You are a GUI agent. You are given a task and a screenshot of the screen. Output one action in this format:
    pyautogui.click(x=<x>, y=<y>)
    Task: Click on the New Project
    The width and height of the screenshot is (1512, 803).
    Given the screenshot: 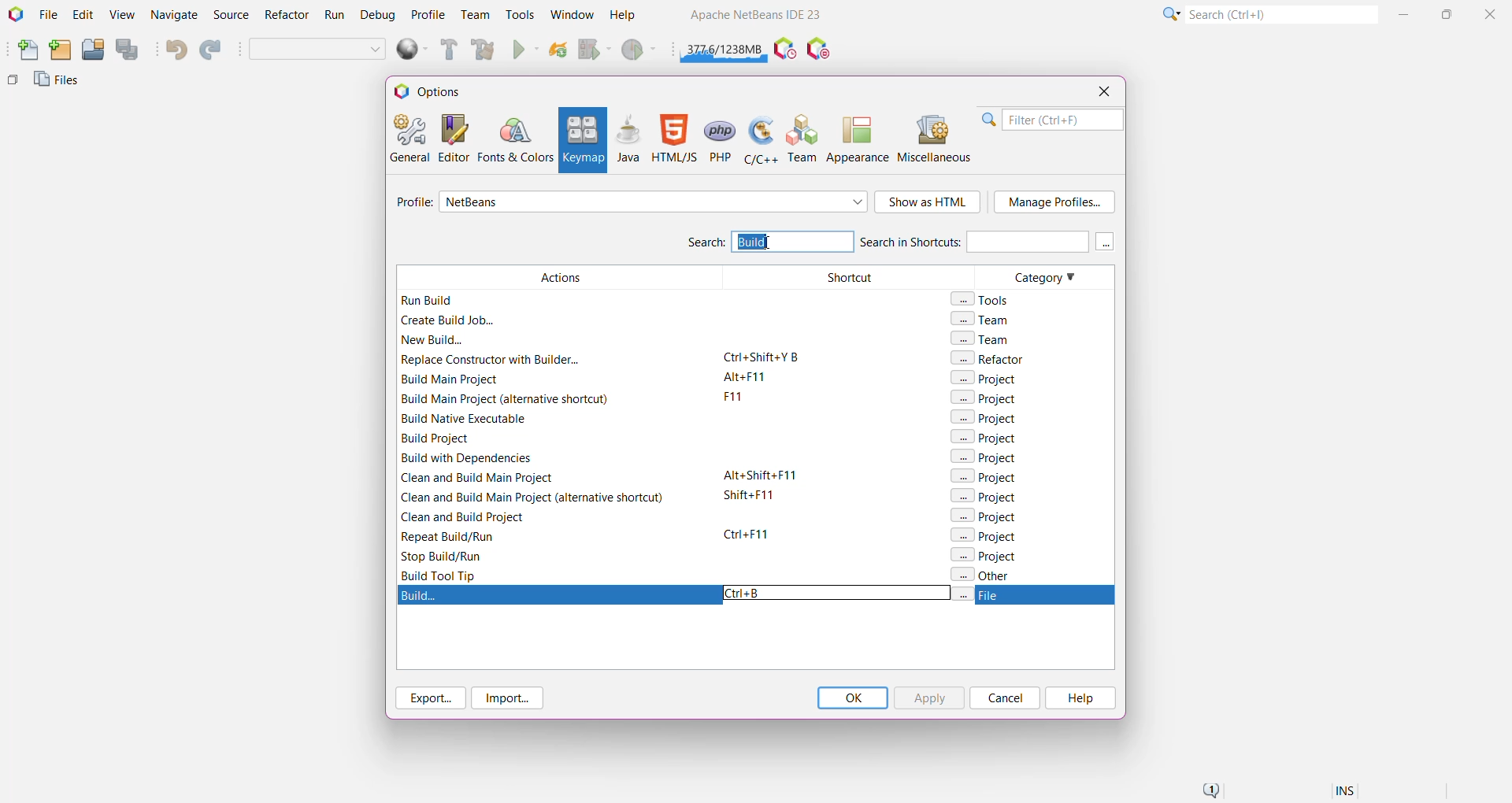 What is the action you would take?
    pyautogui.click(x=60, y=50)
    